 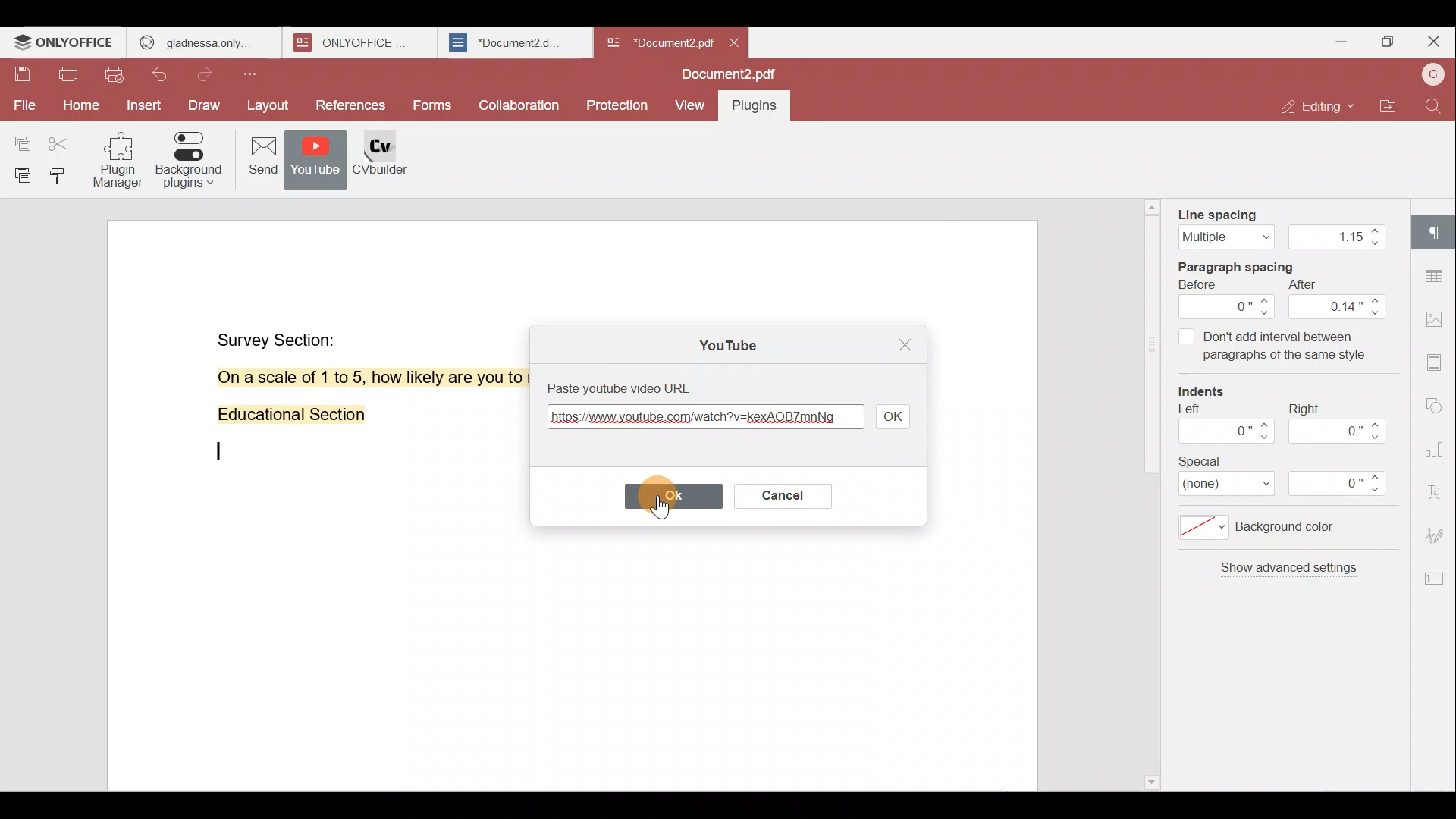 What do you see at coordinates (362, 42) in the screenshot?
I see `ONLYOFFICE` at bounding box center [362, 42].